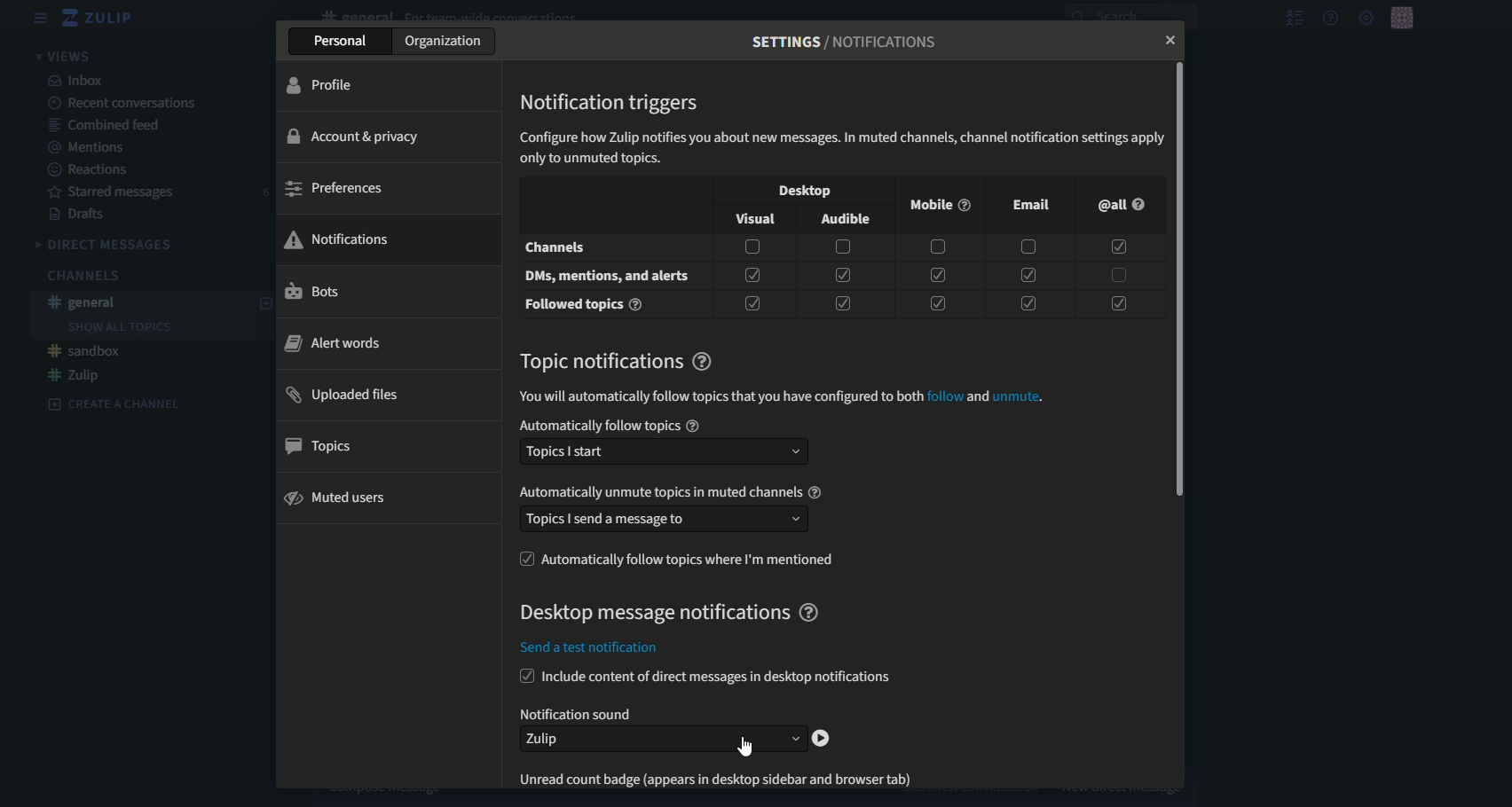 This screenshot has width=1512, height=807. What do you see at coordinates (1119, 247) in the screenshot?
I see `checkbox` at bounding box center [1119, 247].